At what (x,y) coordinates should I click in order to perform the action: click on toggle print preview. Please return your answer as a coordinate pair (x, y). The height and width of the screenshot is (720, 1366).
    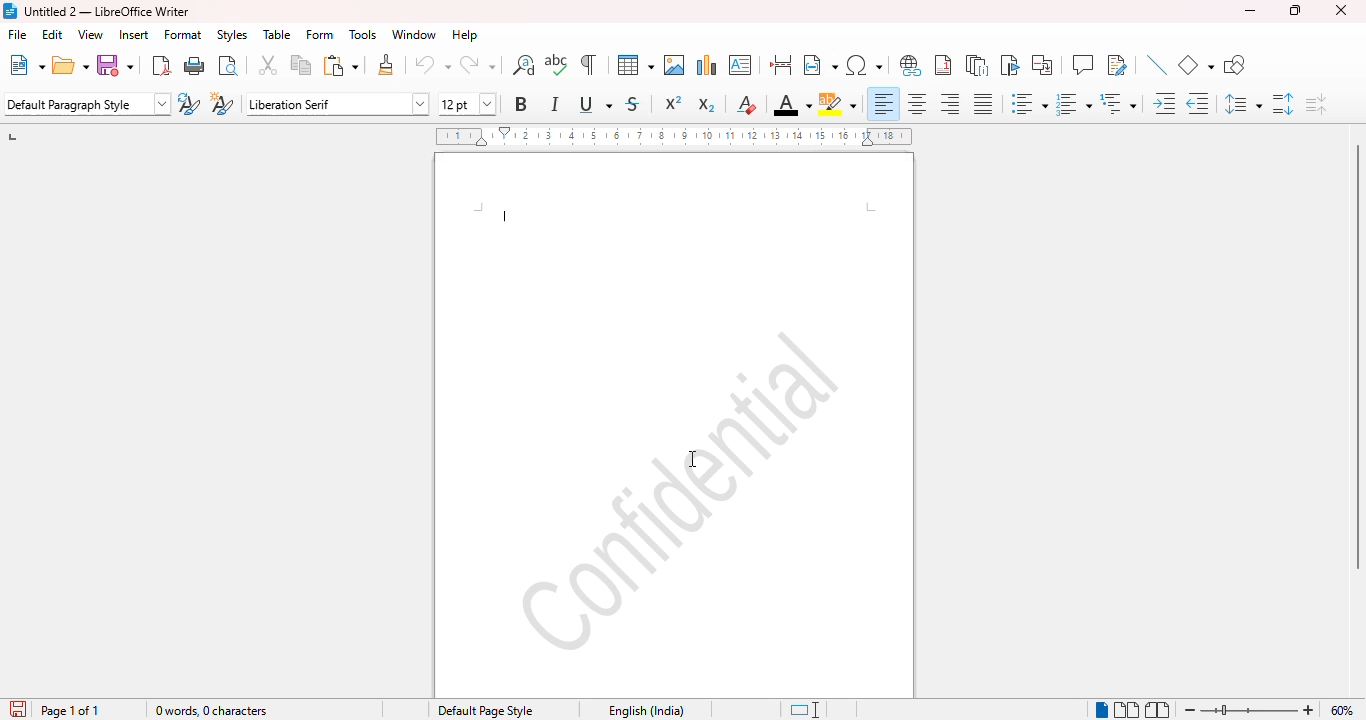
    Looking at the image, I should click on (228, 65).